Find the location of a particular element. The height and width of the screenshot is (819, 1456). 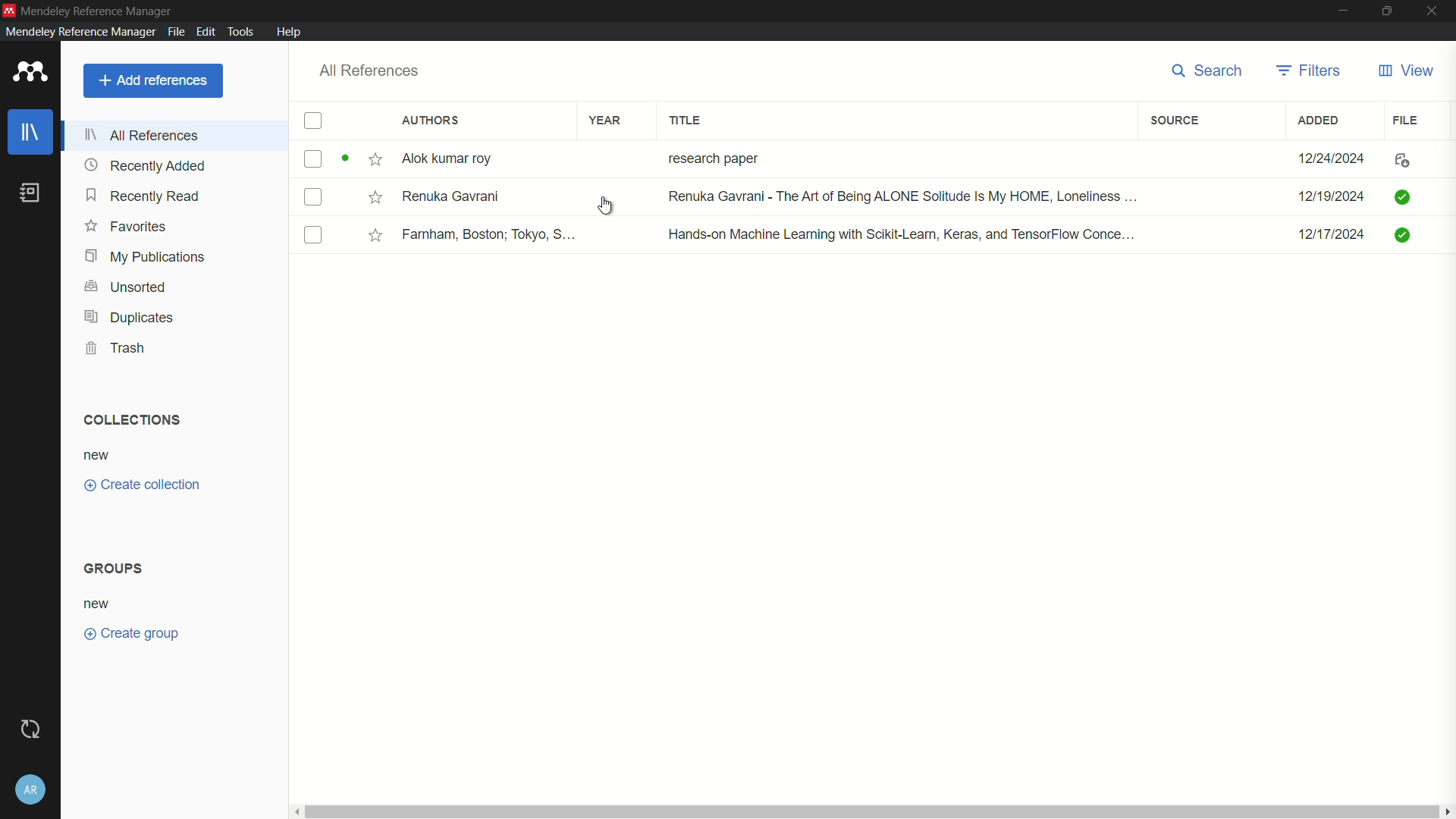

file menu is located at coordinates (174, 32).